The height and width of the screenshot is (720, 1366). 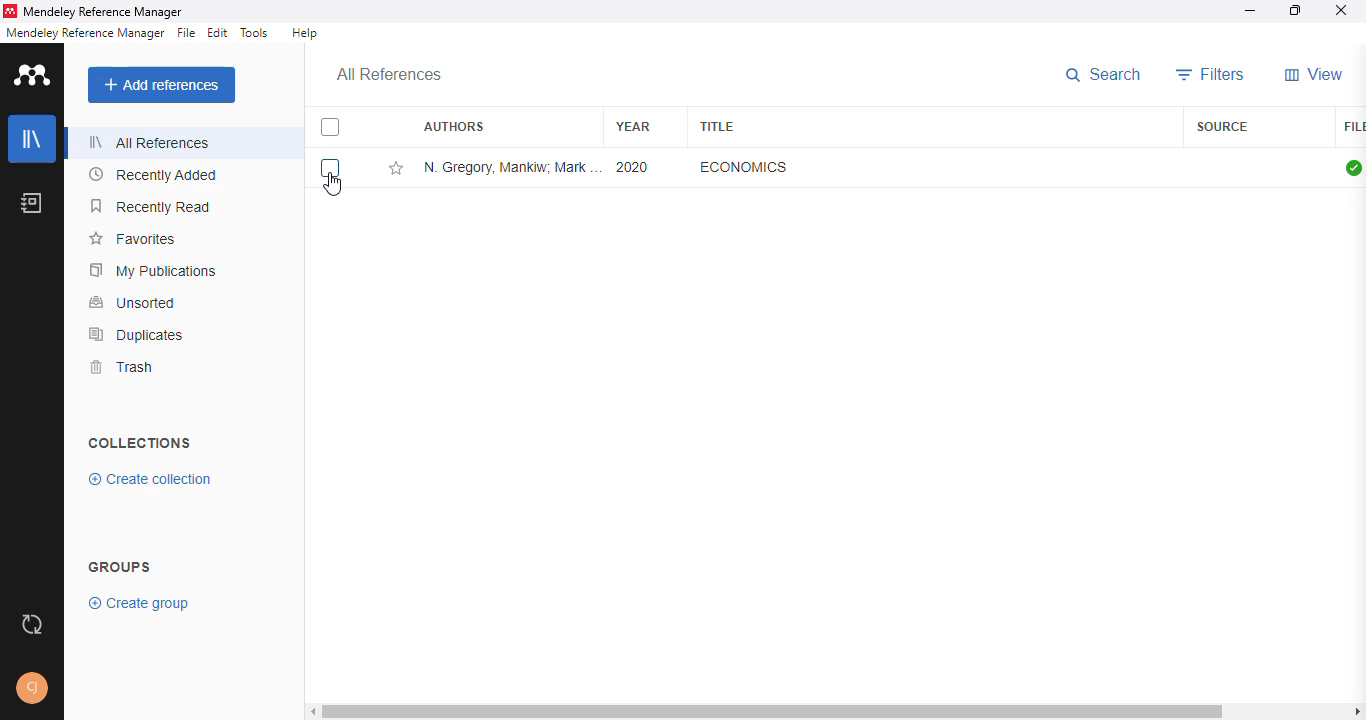 What do you see at coordinates (1103, 75) in the screenshot?
I see `search` at bounding box center [1103, 75].